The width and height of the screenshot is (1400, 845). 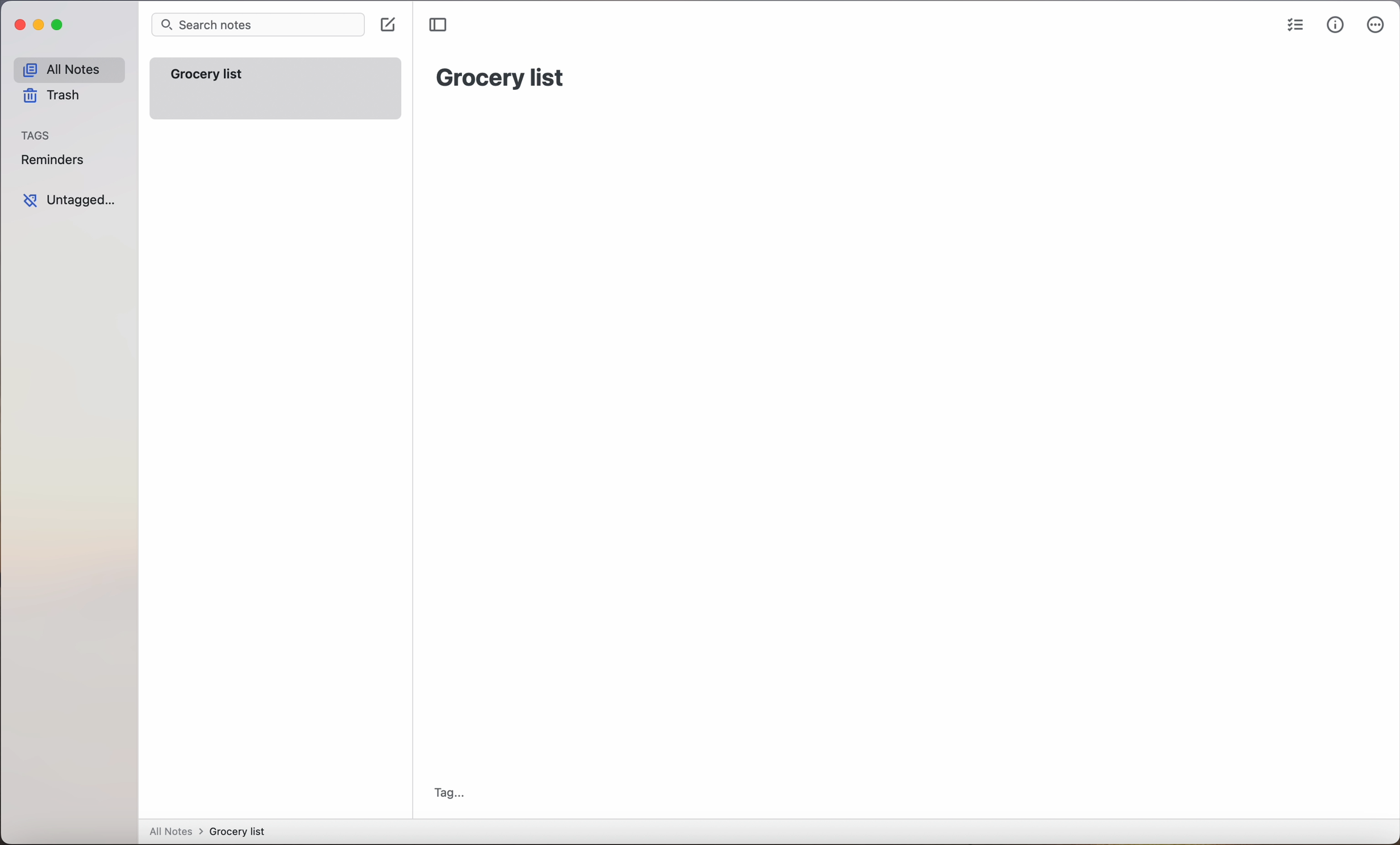 What do you see at coordinates (19, 26) in the screenshot?
I see `close app` at bounding box center [19, 26].